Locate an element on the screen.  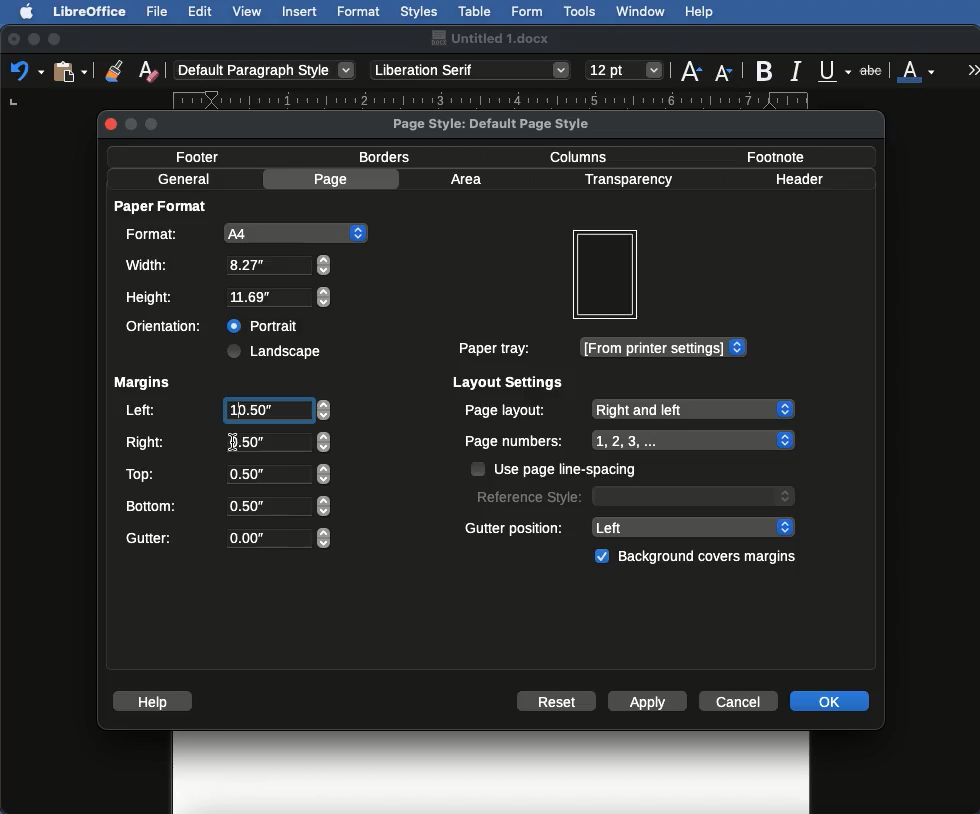
Strikethrough  is located at coordinates (873, 69).